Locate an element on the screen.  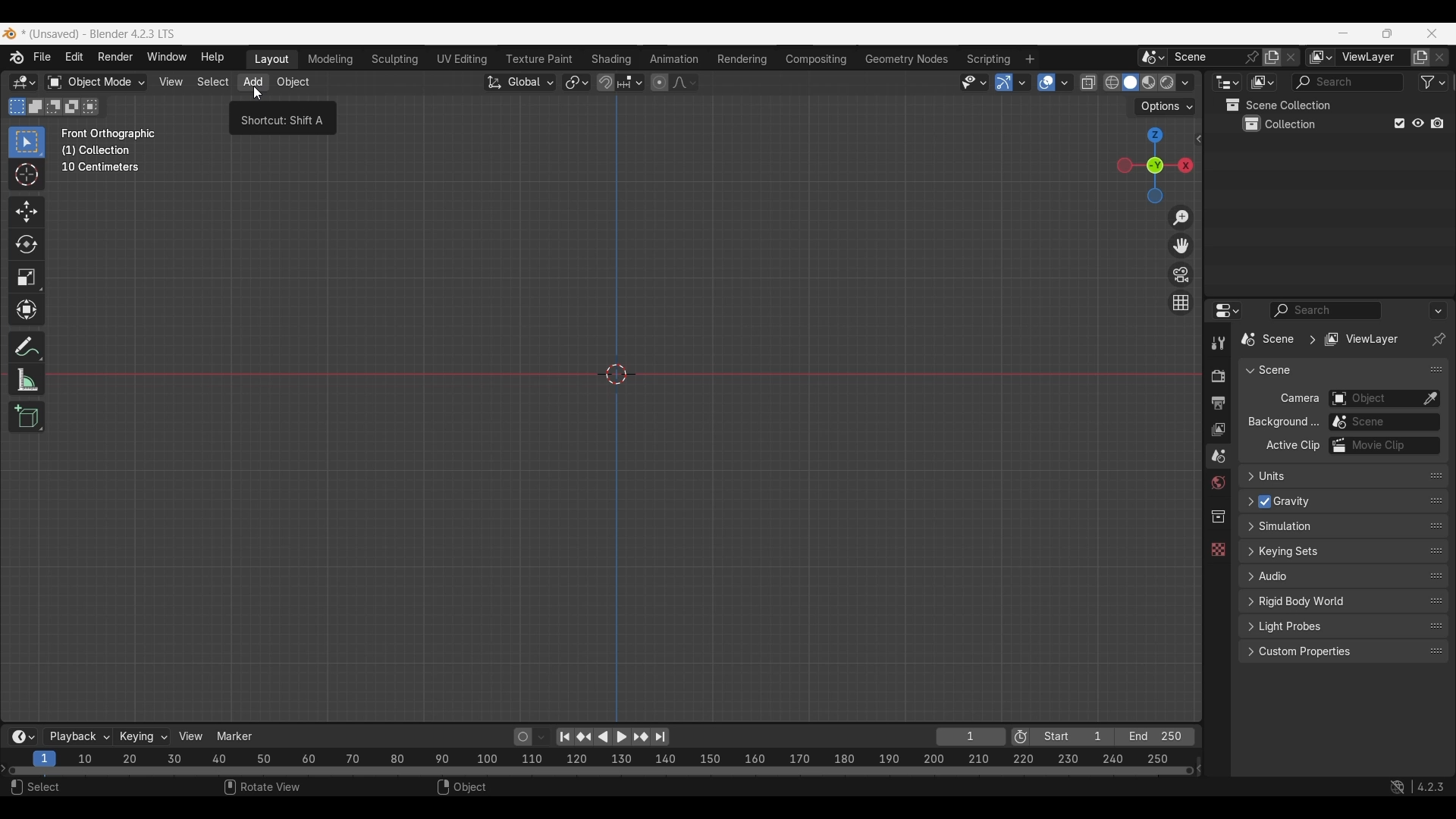
Proportional editing objects is located at coordinates (659, 82).